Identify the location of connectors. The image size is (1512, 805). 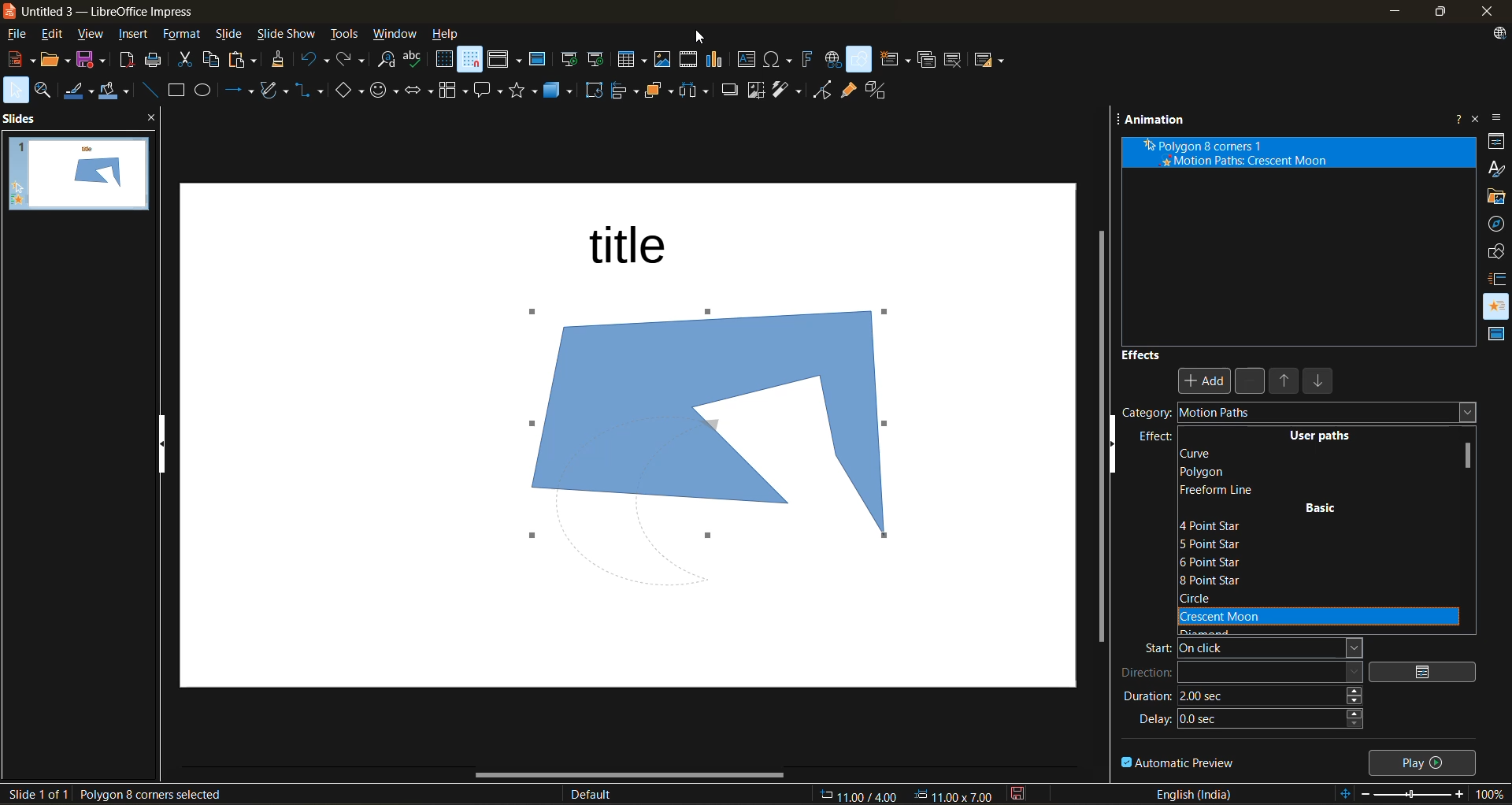
(311, 91).